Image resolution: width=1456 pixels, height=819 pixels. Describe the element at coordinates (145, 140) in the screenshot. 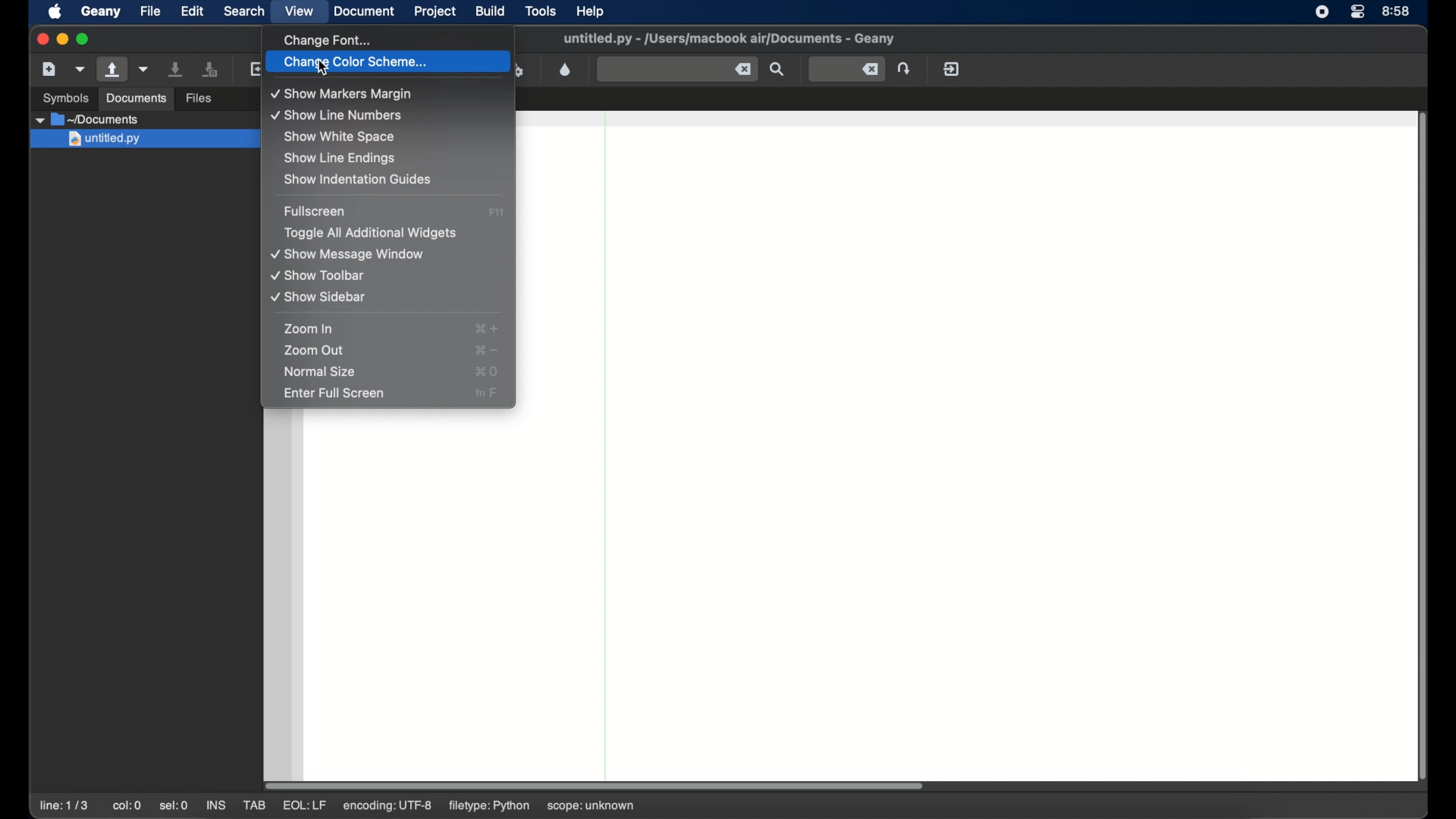

I see `untitled.py` at that location.